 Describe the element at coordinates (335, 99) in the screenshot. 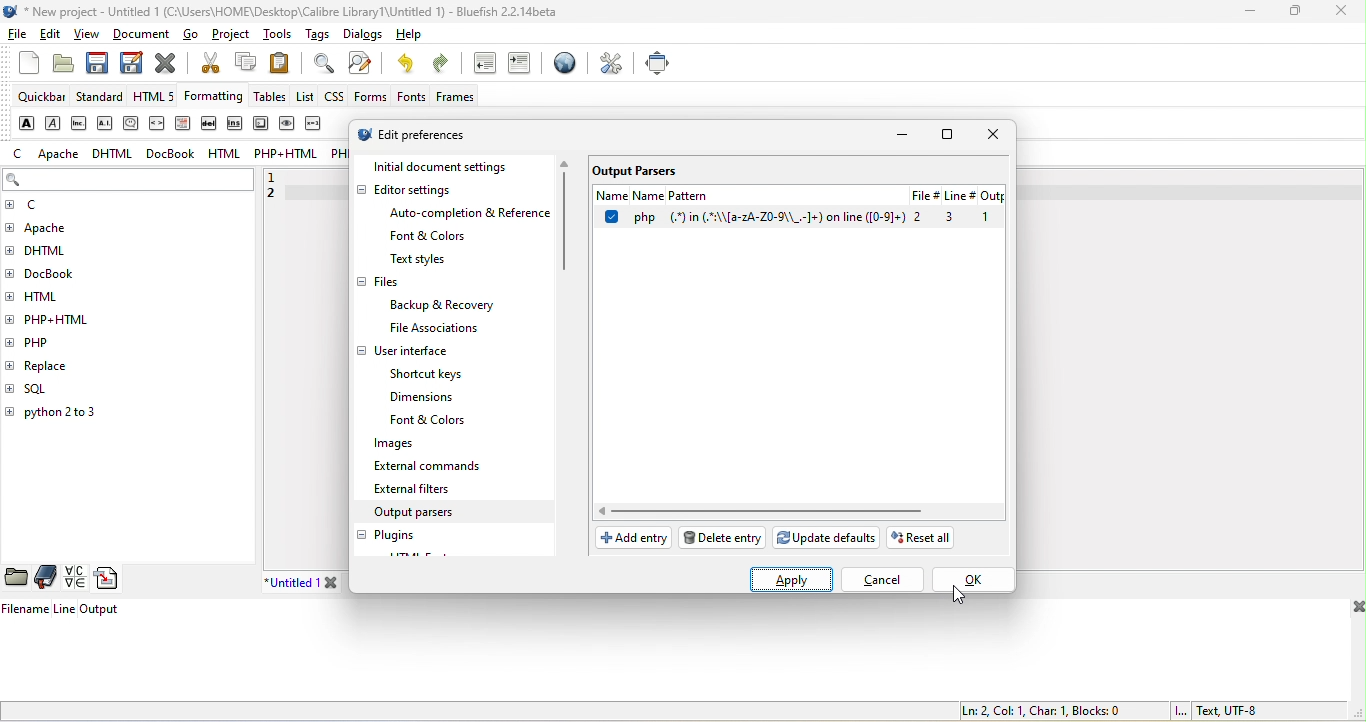

I see `css` at that location.